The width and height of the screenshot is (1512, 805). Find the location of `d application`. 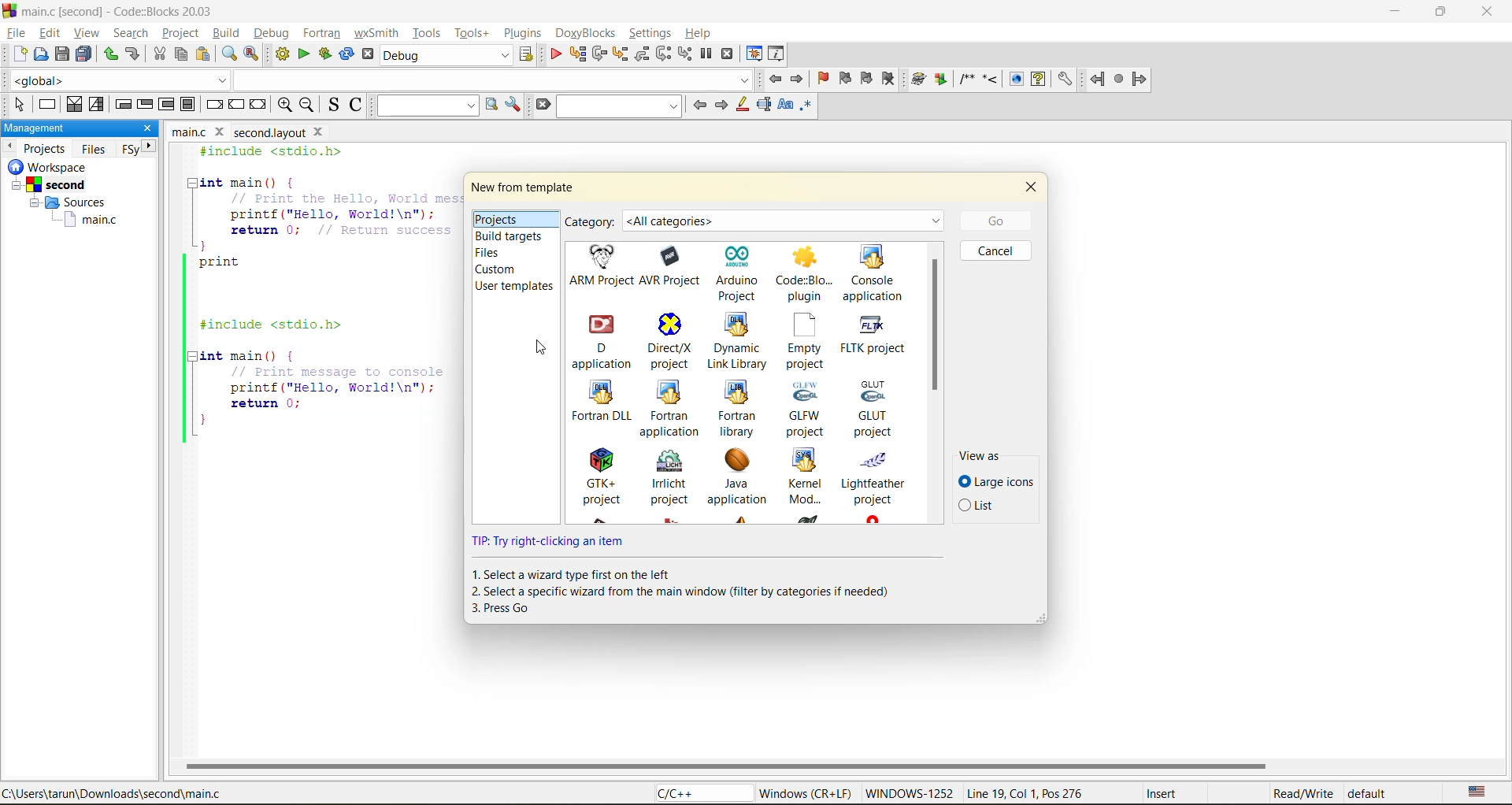

d application is located at coordinates (602, 341).